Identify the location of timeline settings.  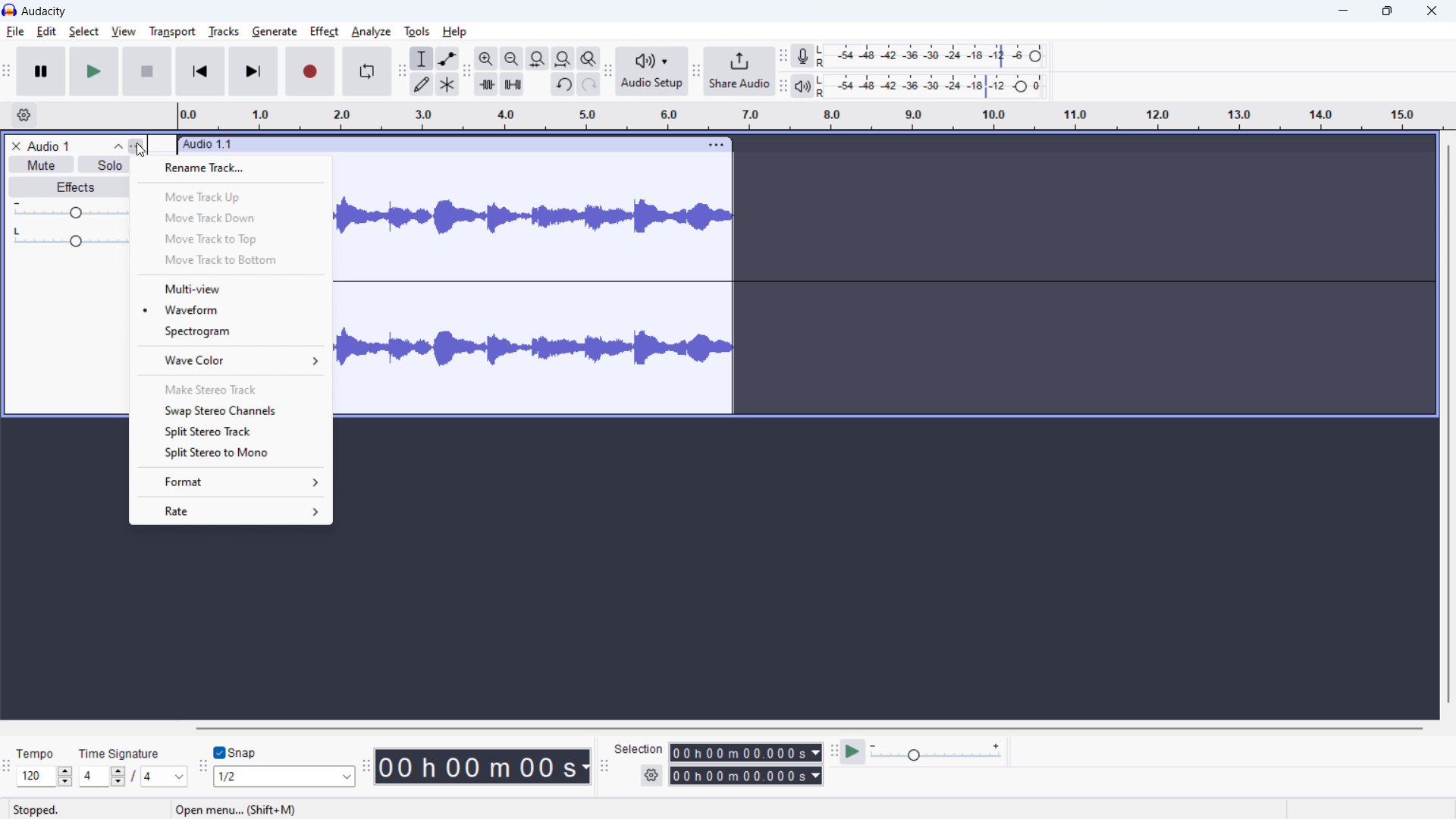
(24, 115).